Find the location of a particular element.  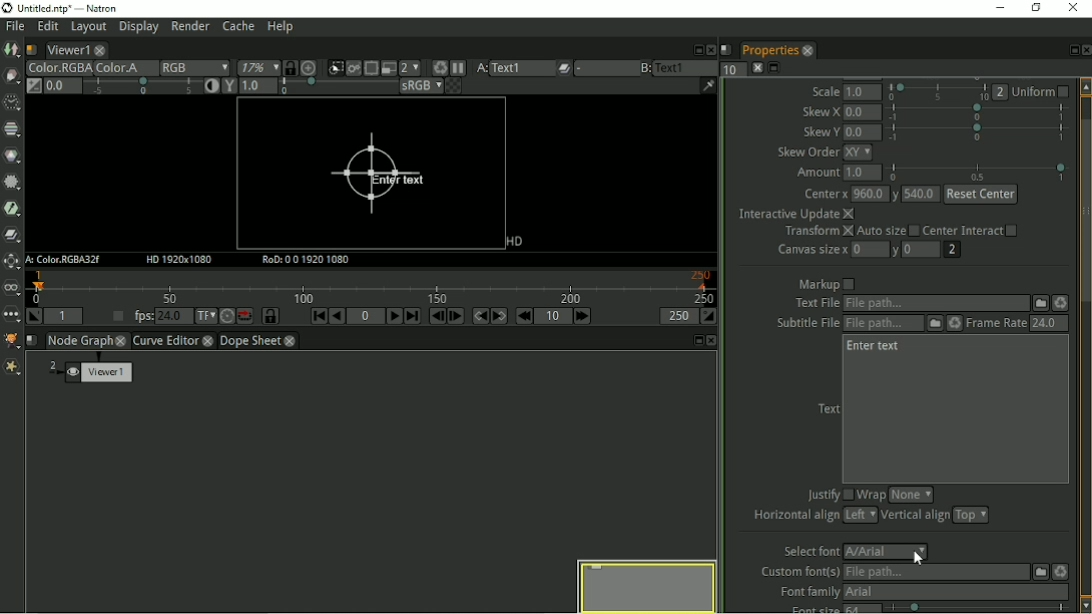

Play backward is located at coordinates (337, 316).